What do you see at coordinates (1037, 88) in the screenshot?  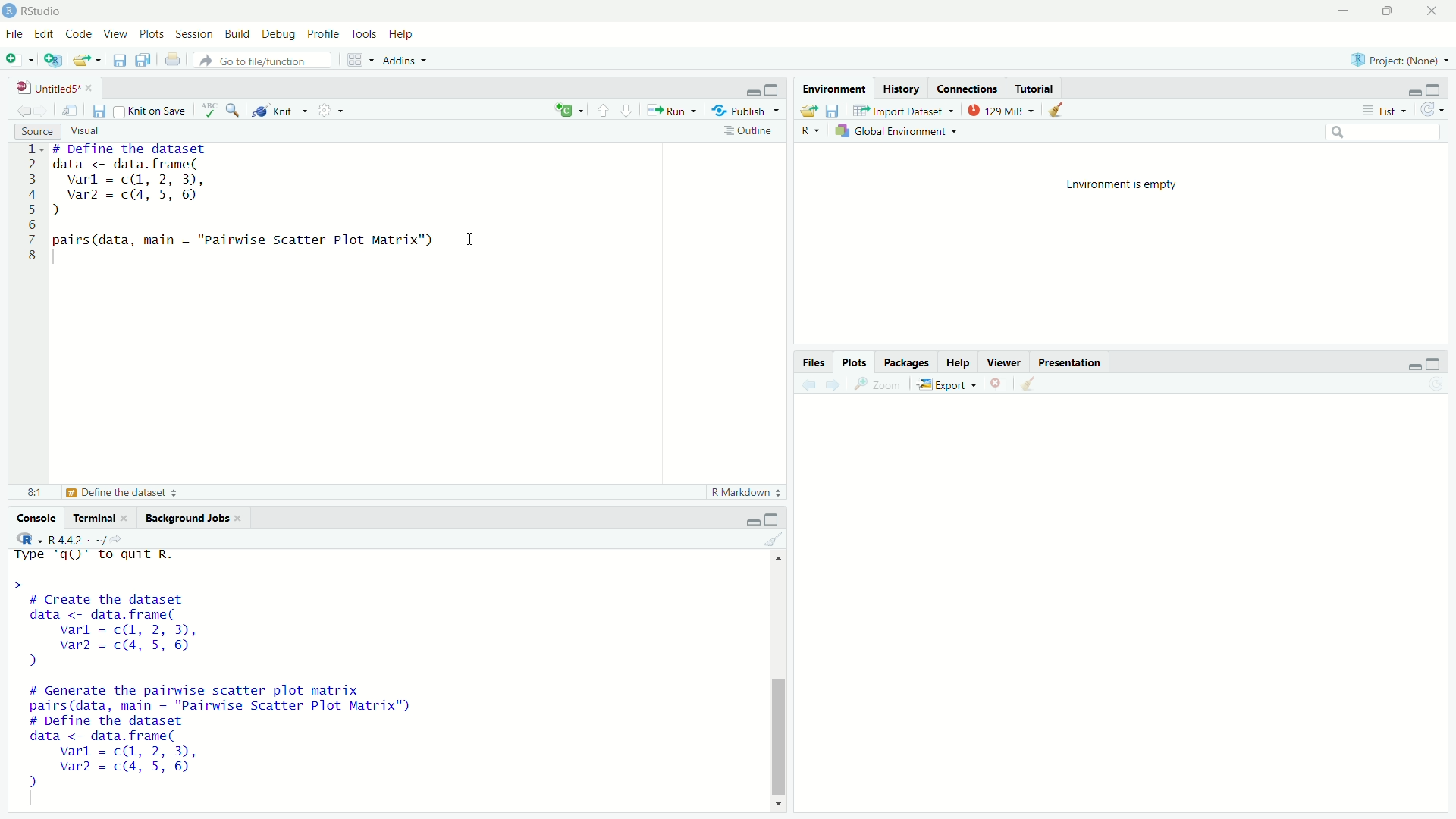 I see `Tutorial` at bounding box center [1037, 88].